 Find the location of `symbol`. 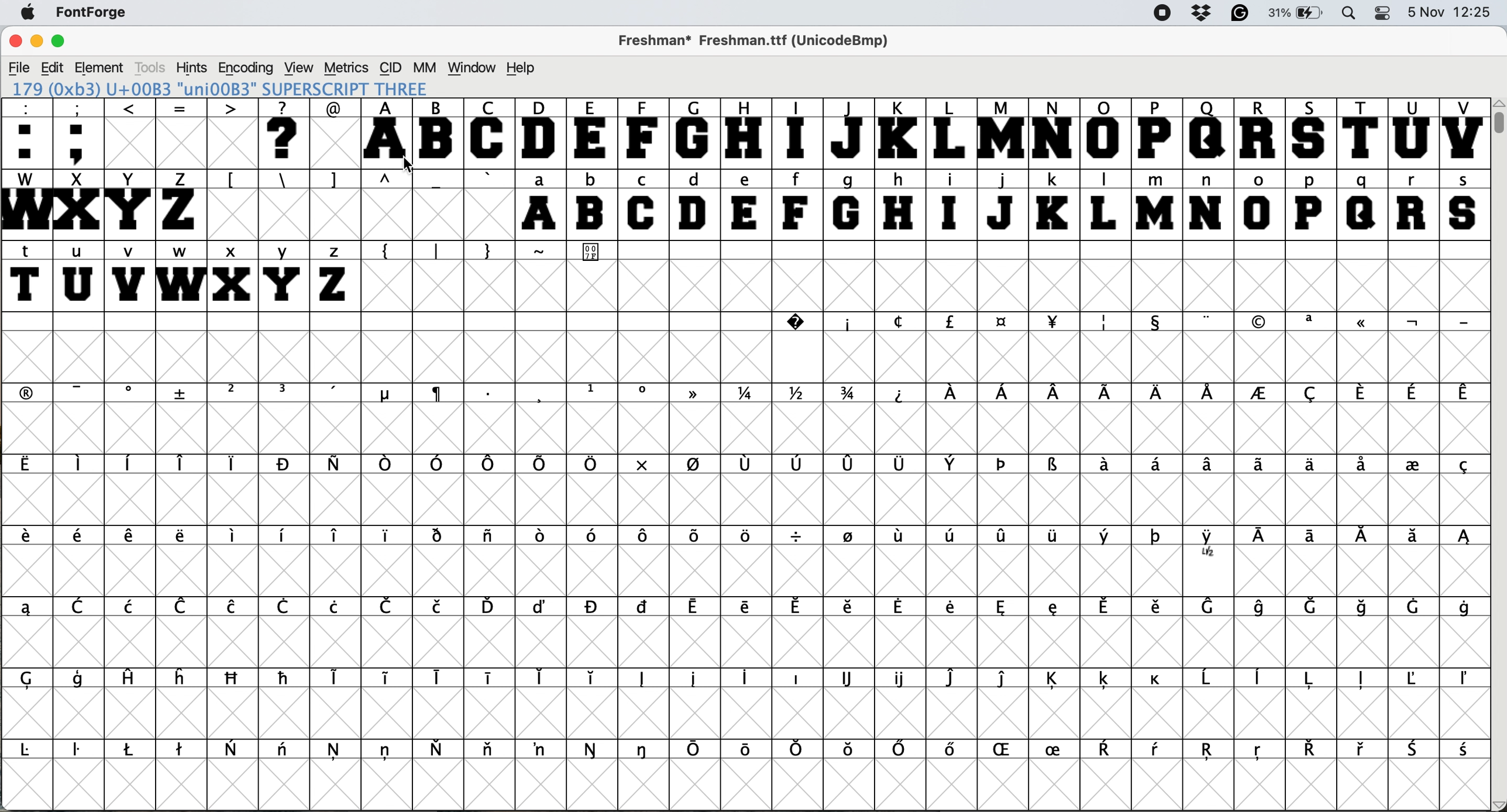

symbol is located at coordinates (591, 605).